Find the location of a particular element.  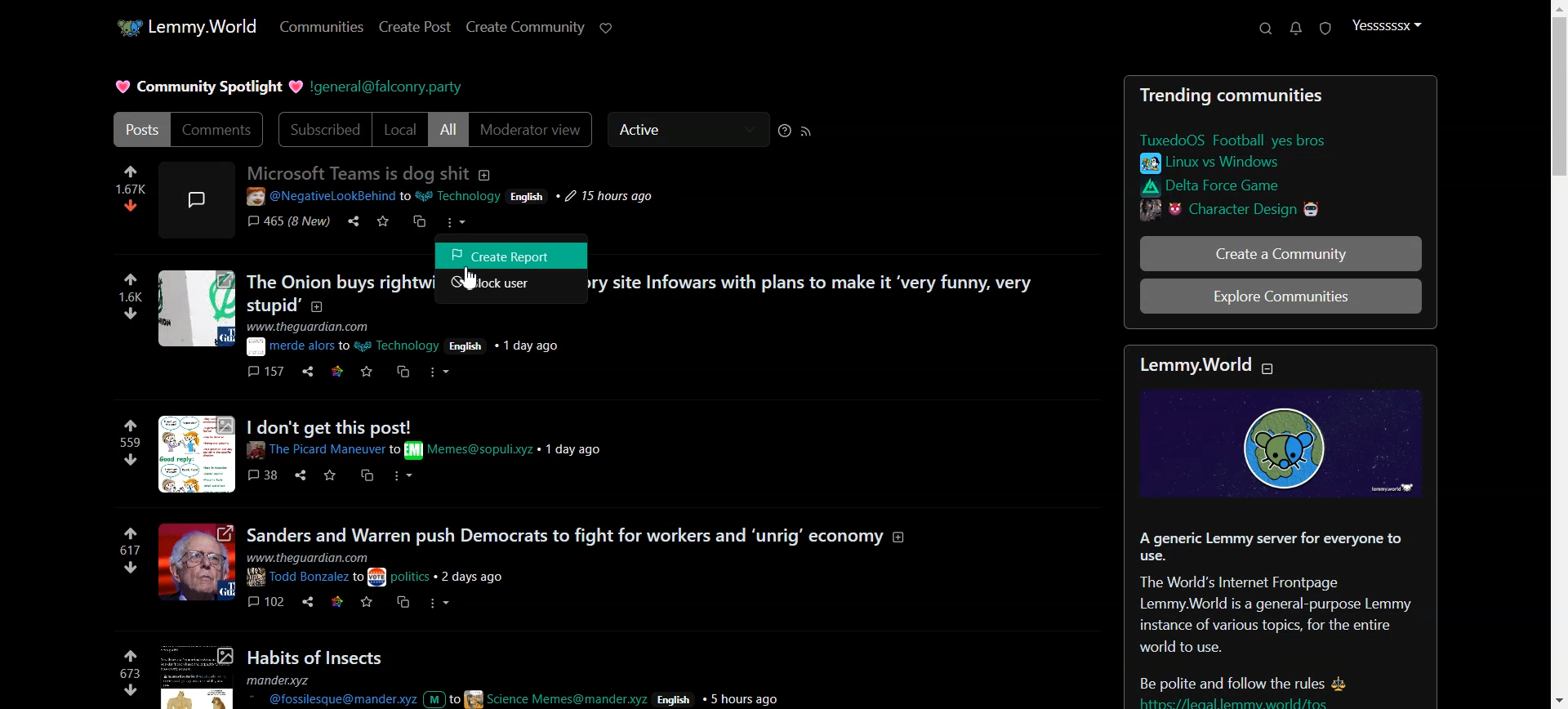

Moderator view is located at coordinates (533, 129).